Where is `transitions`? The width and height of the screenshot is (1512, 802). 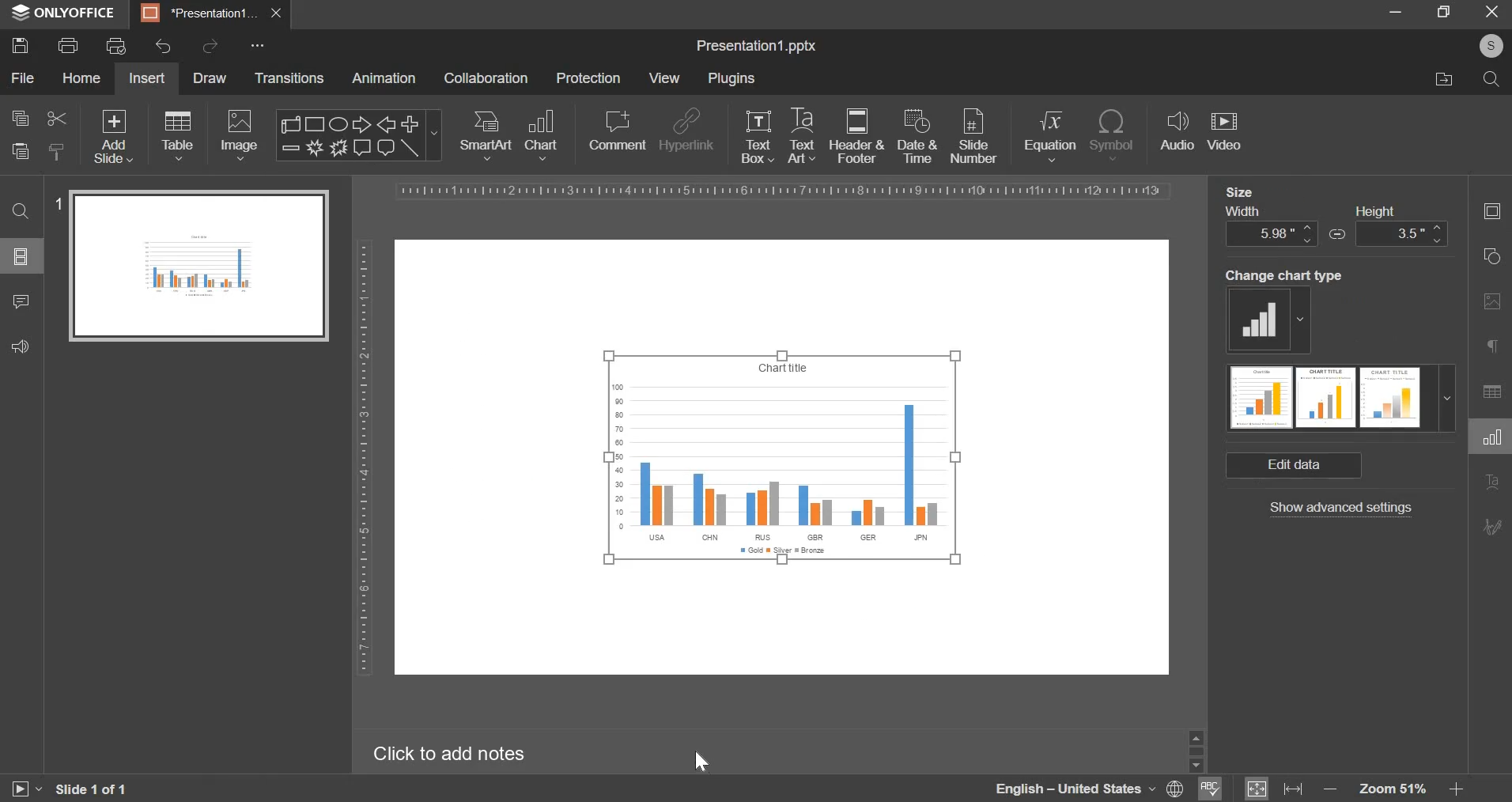 transitions is located at coordinates (290, 79).